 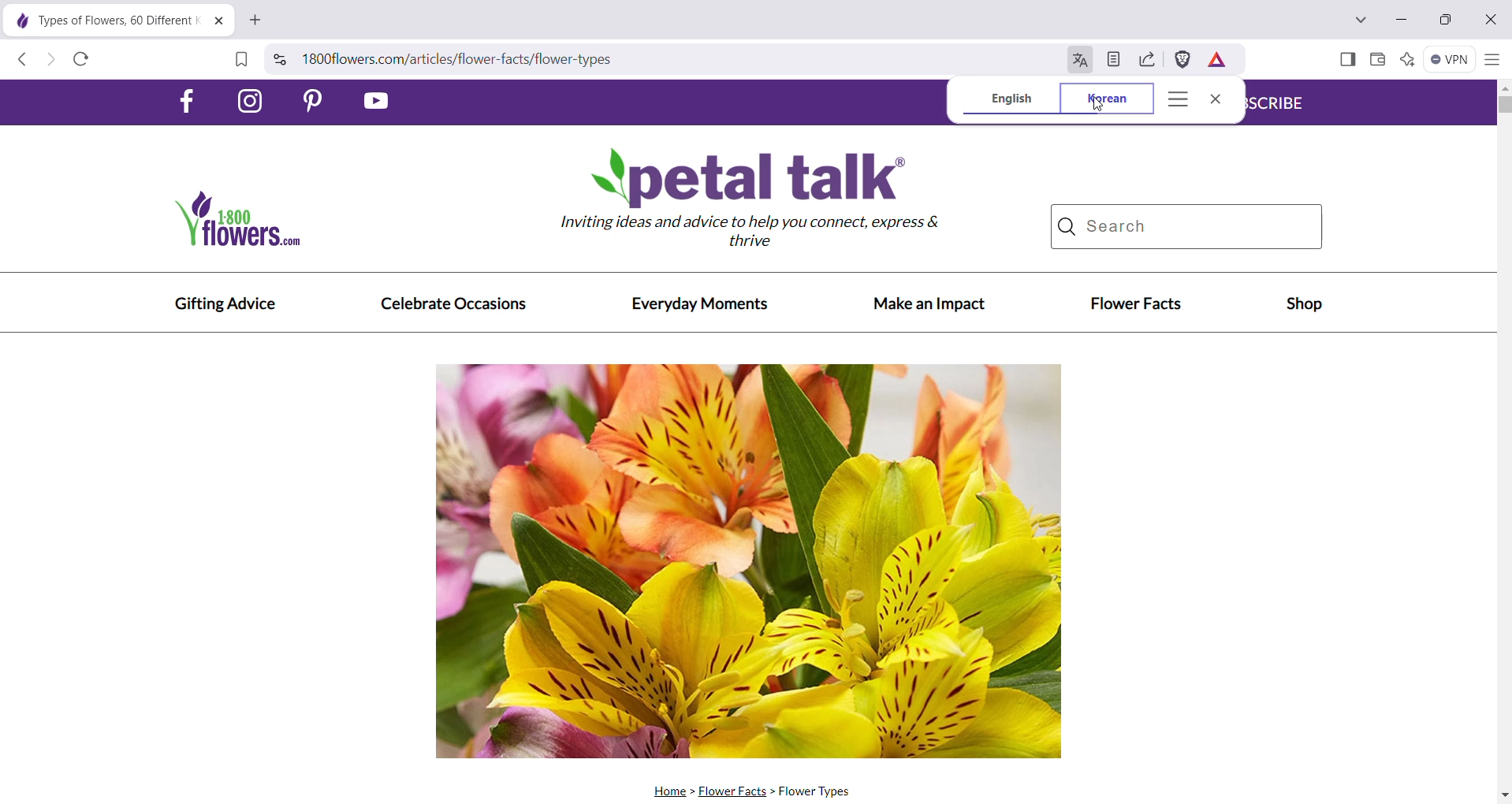 What do you see at coordinates (256, 20) in the screenshot?
I see `New Tab` at bounding box center [256, 20].